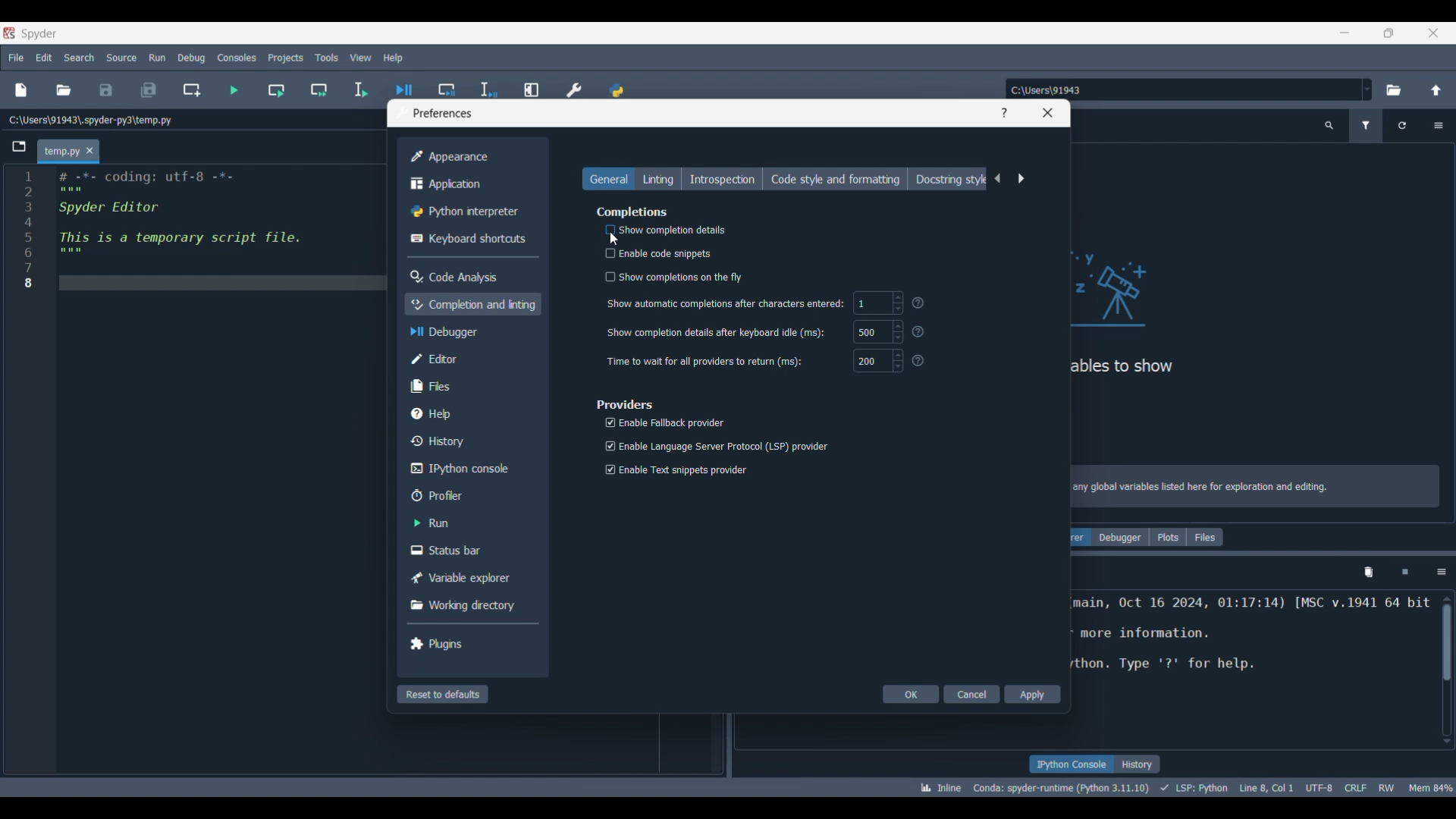 This screenshot has height=819, width=1456. I want to click on Show in smaller tab, so click(1389, 33).